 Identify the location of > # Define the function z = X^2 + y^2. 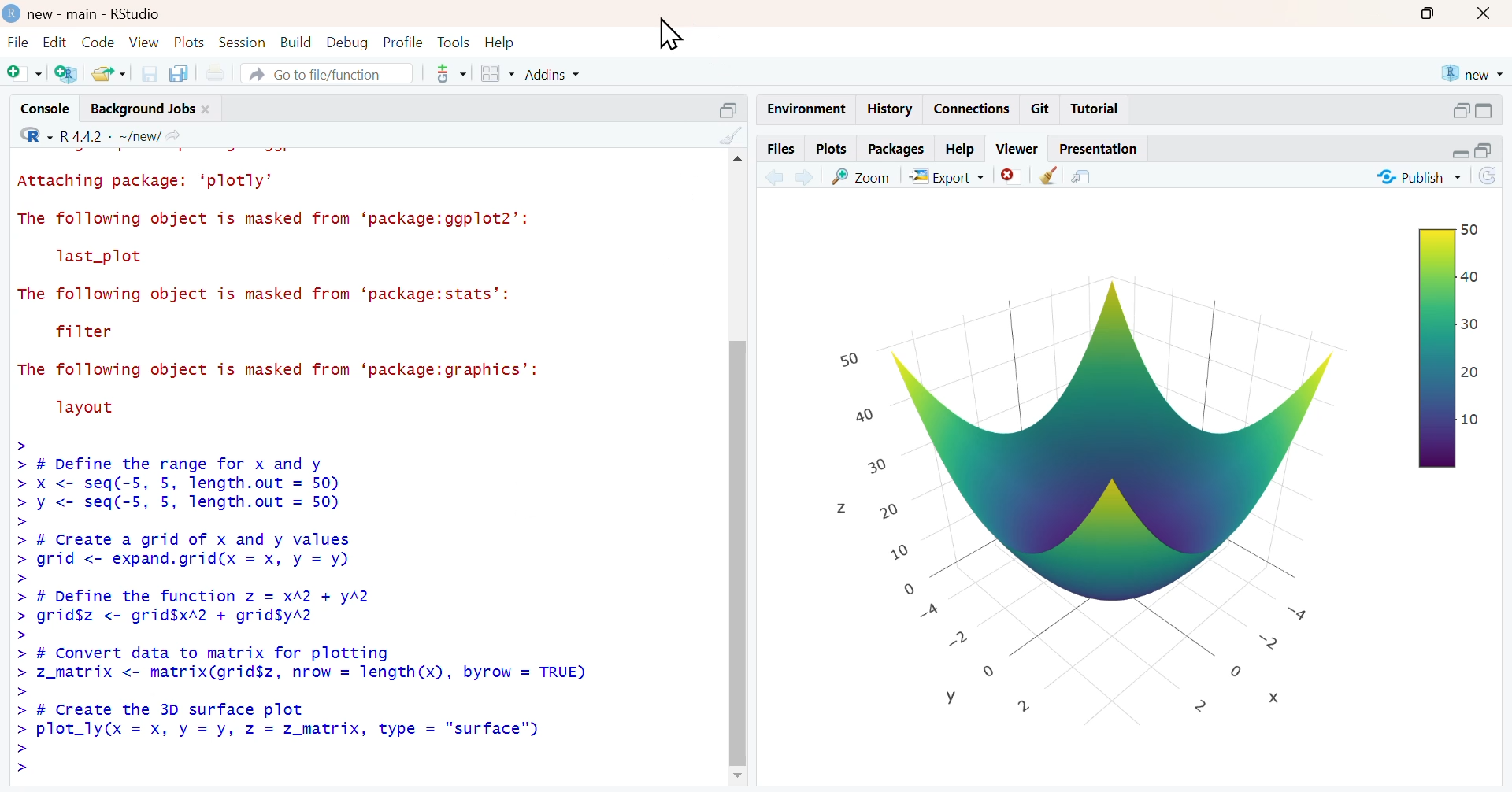
(197, 595).